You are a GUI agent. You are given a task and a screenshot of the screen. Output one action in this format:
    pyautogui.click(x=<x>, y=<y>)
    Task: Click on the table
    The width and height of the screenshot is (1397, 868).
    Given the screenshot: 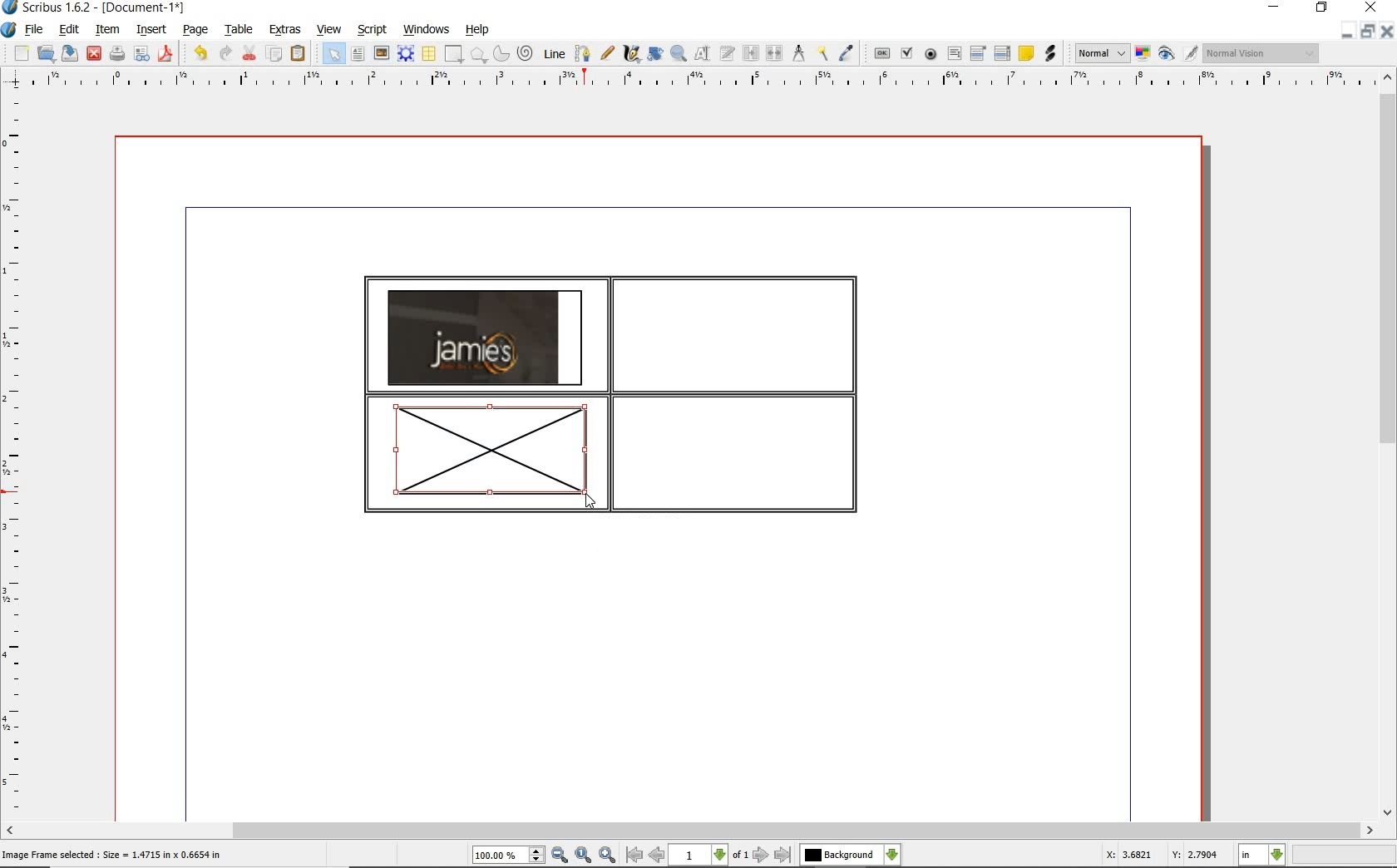 What is the action you would take?
    pyautogui.click(x=430, y=55)
    